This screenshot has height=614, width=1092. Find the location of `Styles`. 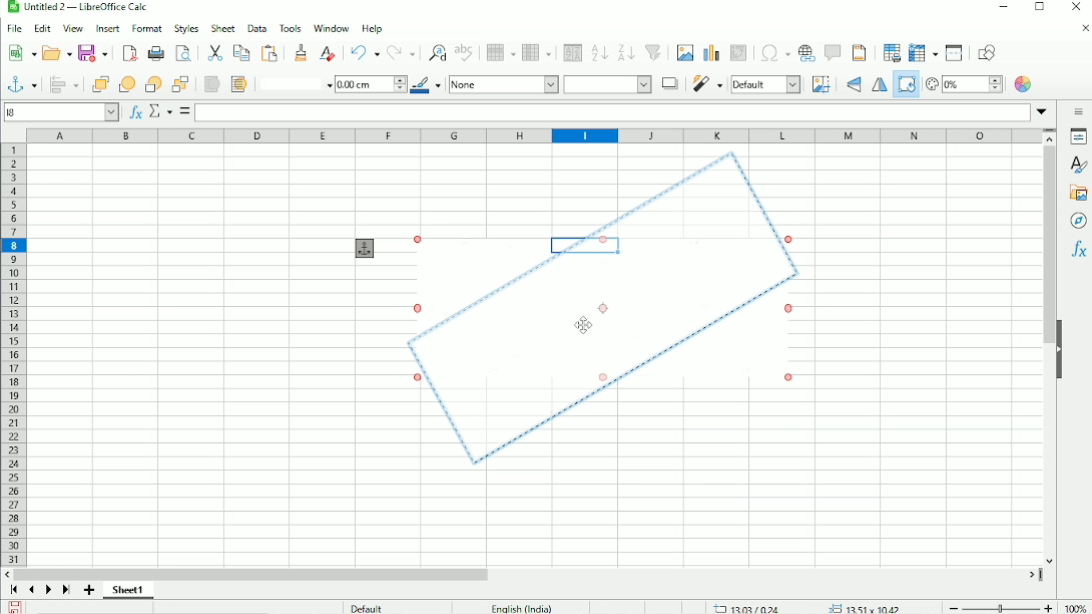

Styles is located at coordinates (185, 28).